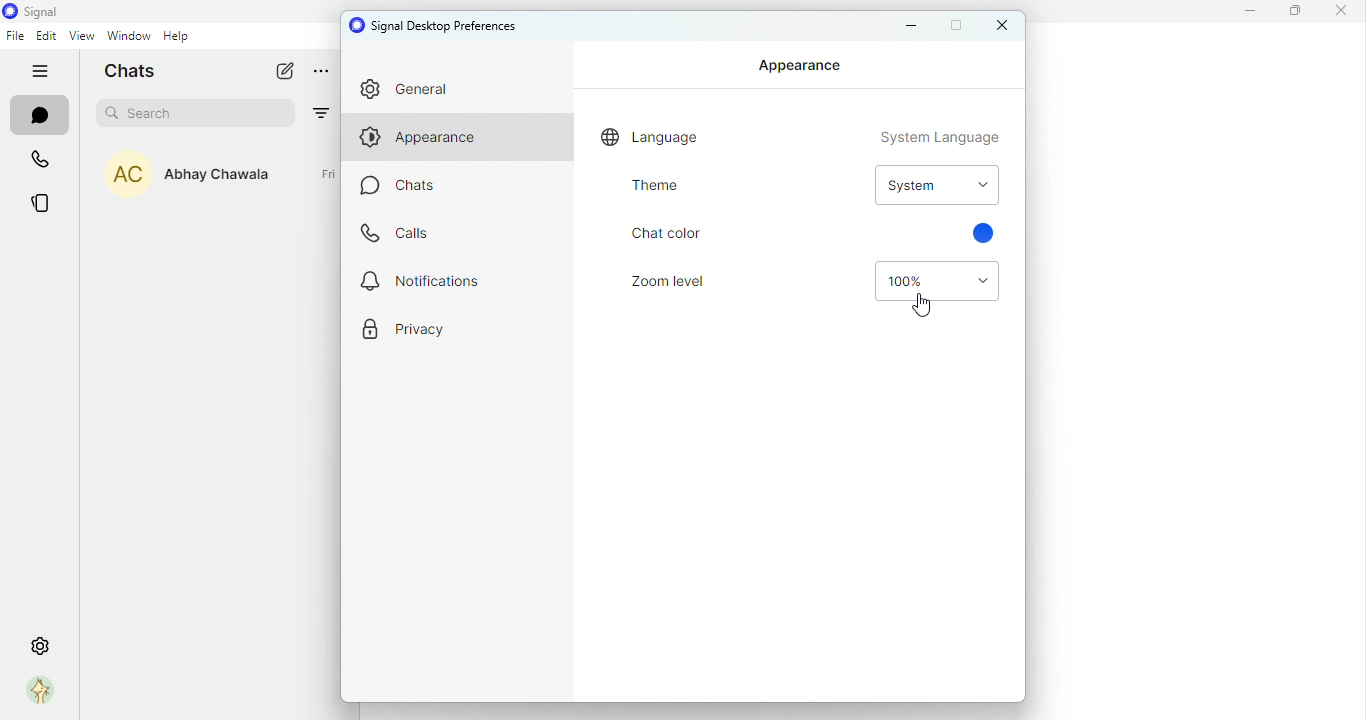 This screenshot has height=720, width=1366. I want to click on profile, so click(36, 692).